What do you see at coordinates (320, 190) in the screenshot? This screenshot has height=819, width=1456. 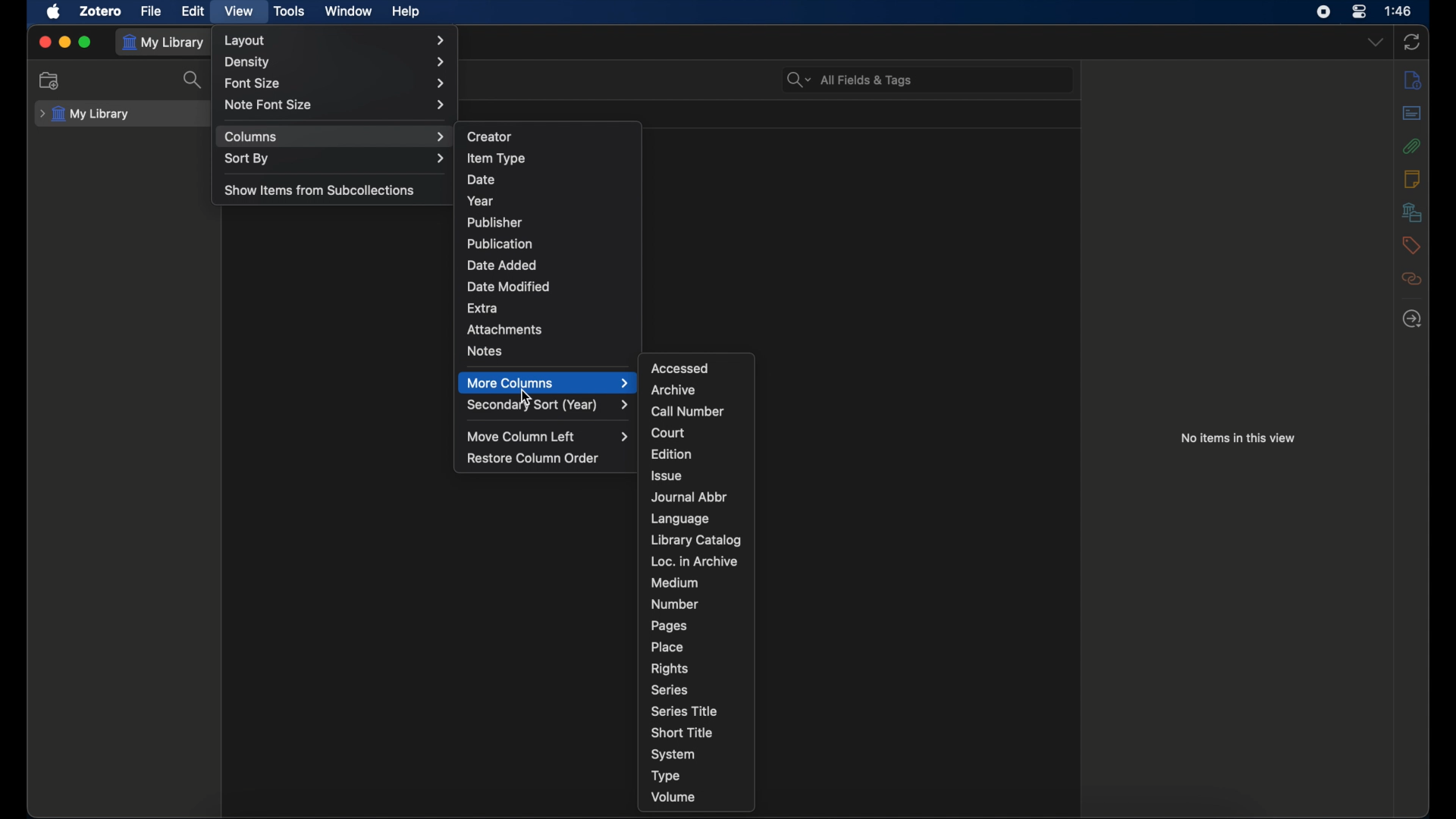 I see `show items from subcollections` at bounding box center [320, 190].